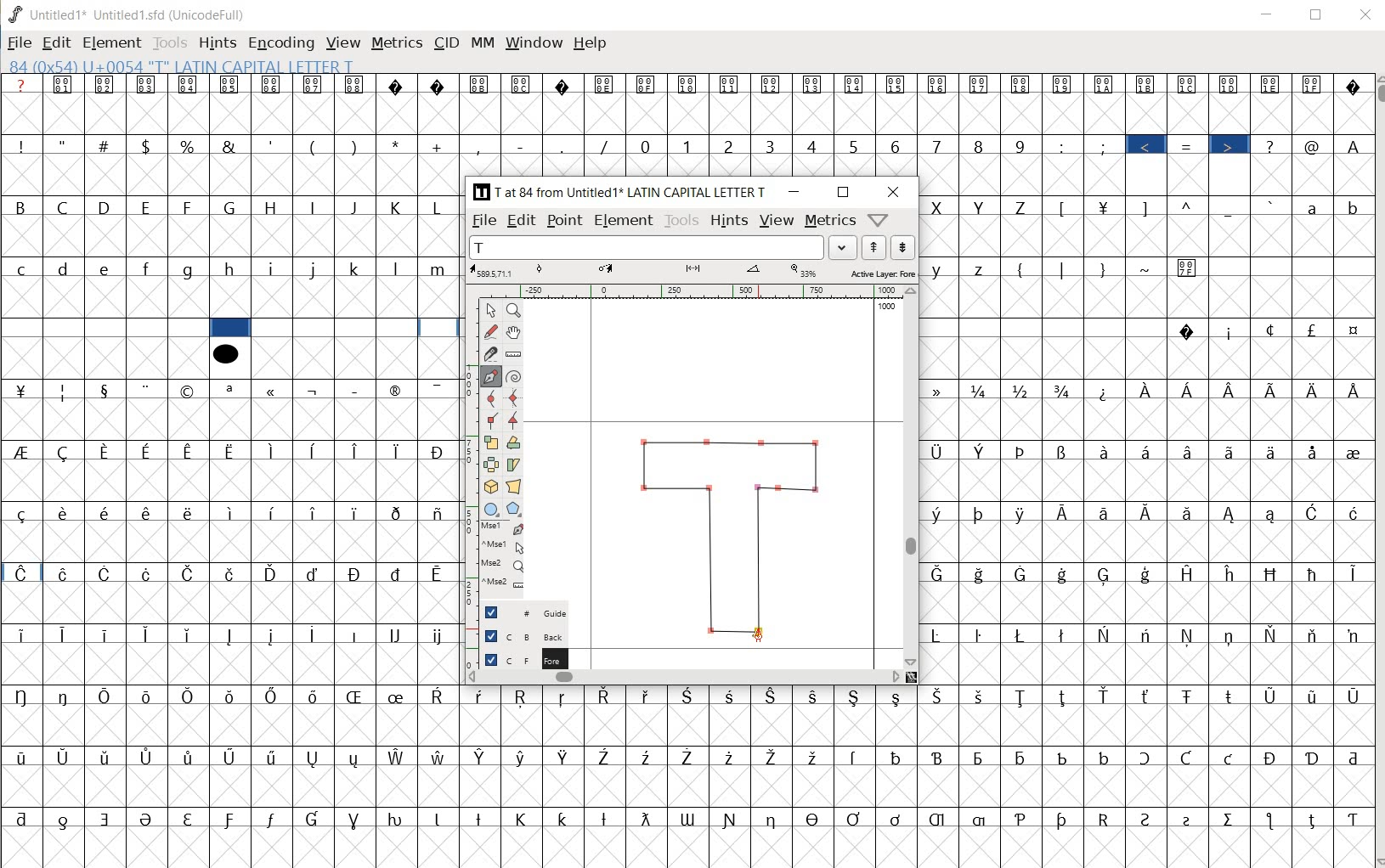  Describe the element at coordinates (854, 144) in the screenshot. I see `5` at that location.